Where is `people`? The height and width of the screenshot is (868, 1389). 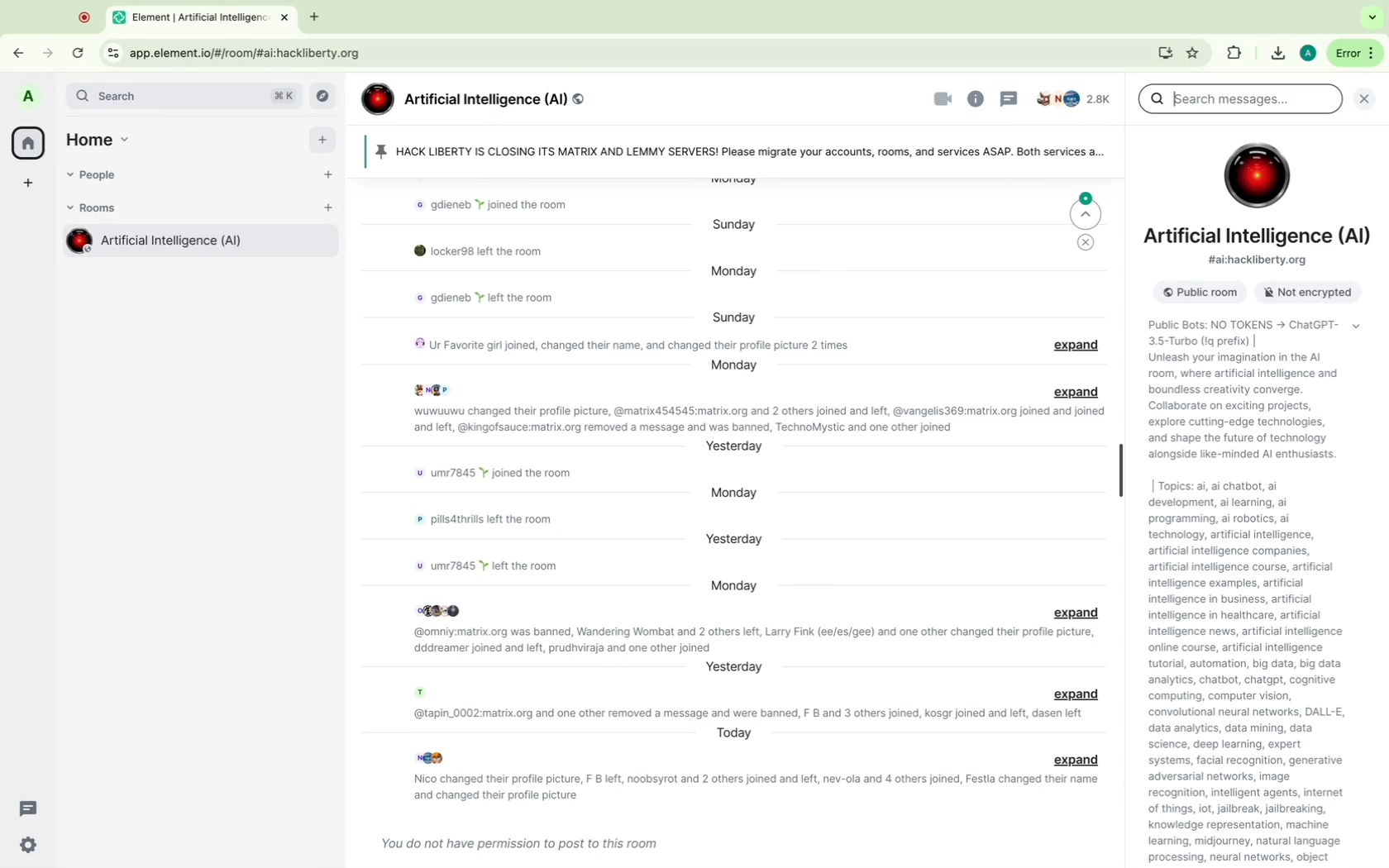 people is located at coordinates (1075, 100).